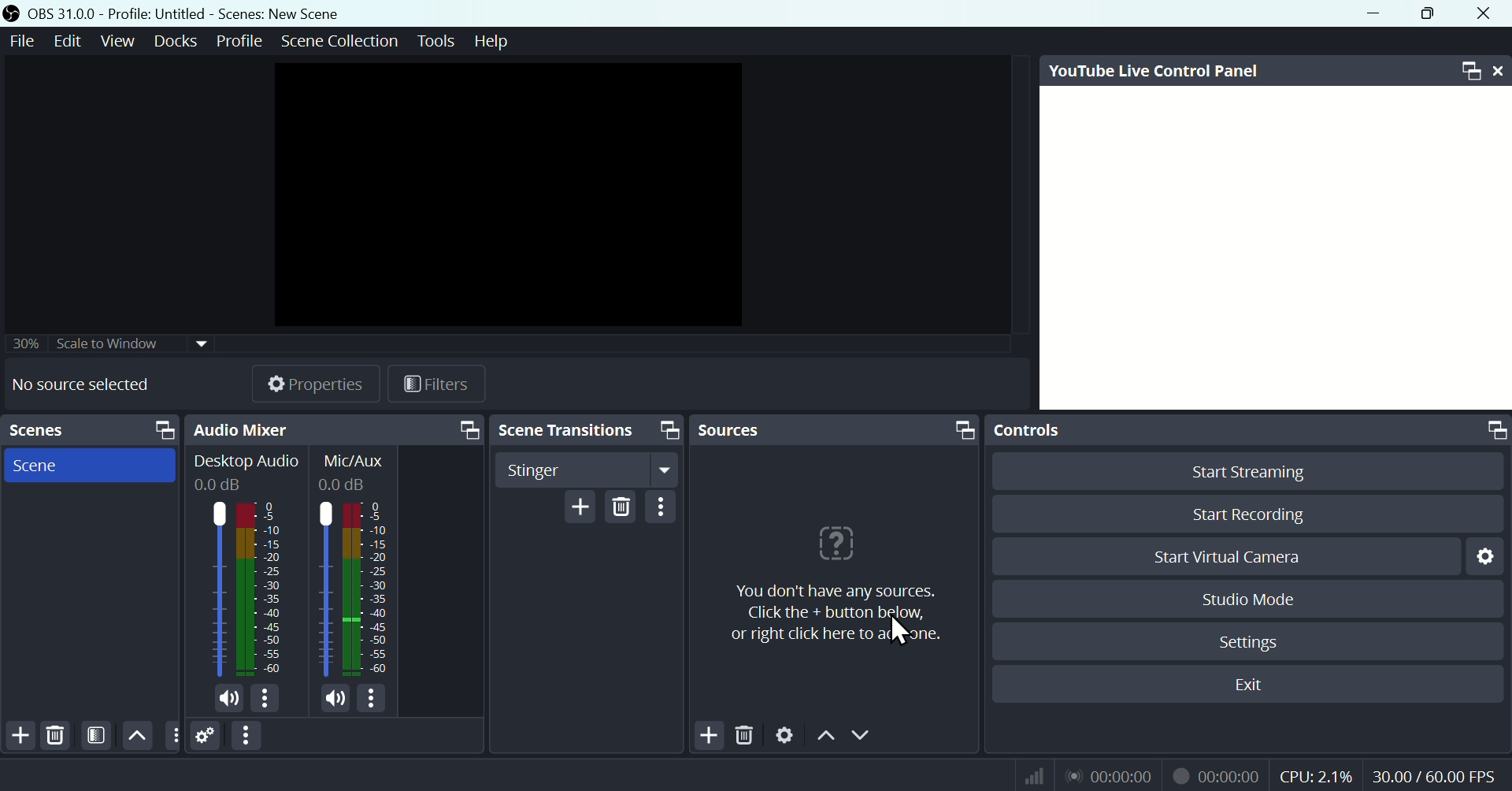 Image resolution: width=1512 pixels, height=791 pixels. I want to click on Scenes, so click(36, 429).